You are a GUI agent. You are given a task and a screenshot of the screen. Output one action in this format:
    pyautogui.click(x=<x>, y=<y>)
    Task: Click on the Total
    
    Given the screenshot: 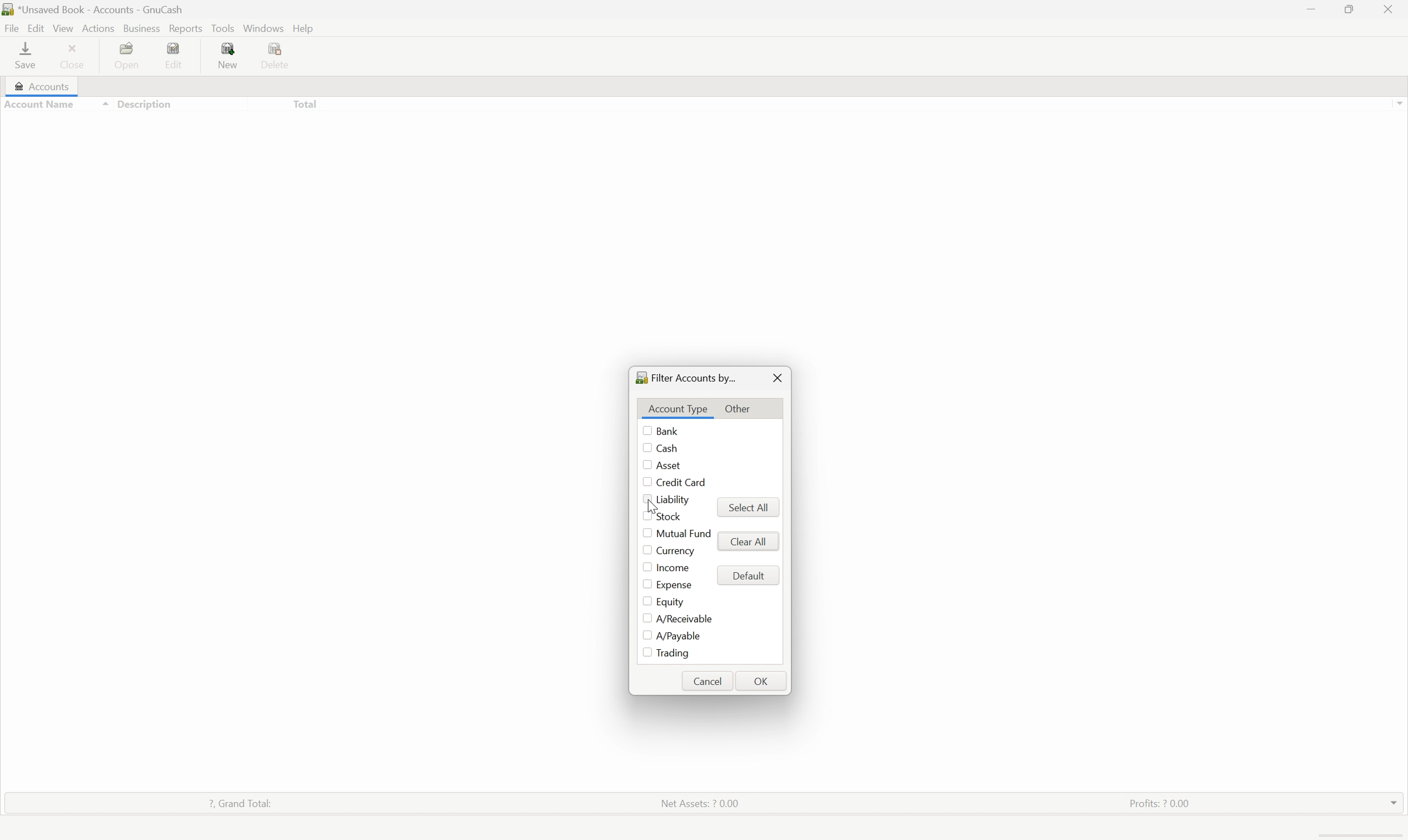 What is the action you would take?
    pyautogui.click(x=305, y=103)
    